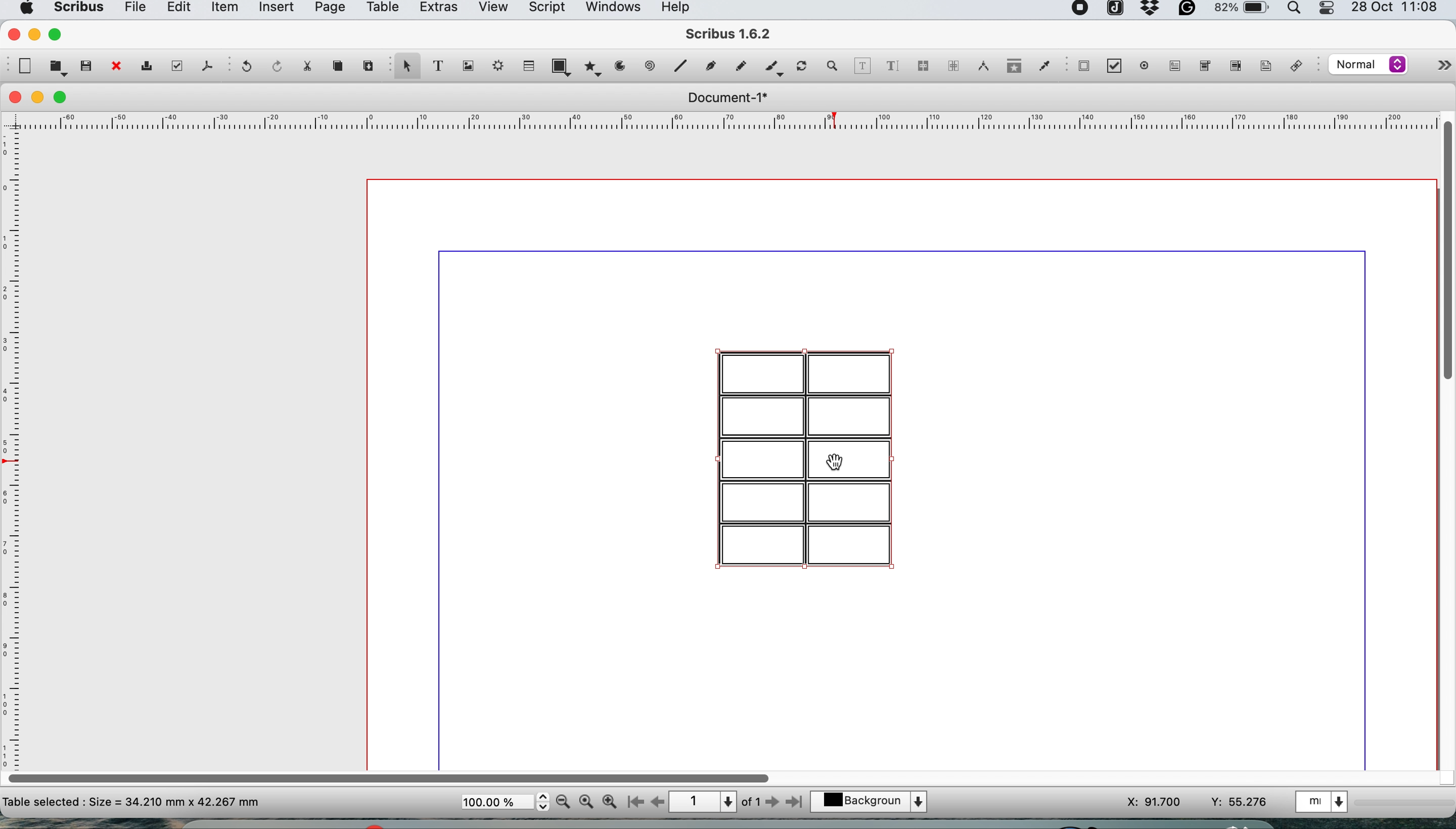 This screenshot has width=1456, height=829. Describe the element at coordinates (392, 774) in the screenshot. I see `horizontal scroll bar` at that location.